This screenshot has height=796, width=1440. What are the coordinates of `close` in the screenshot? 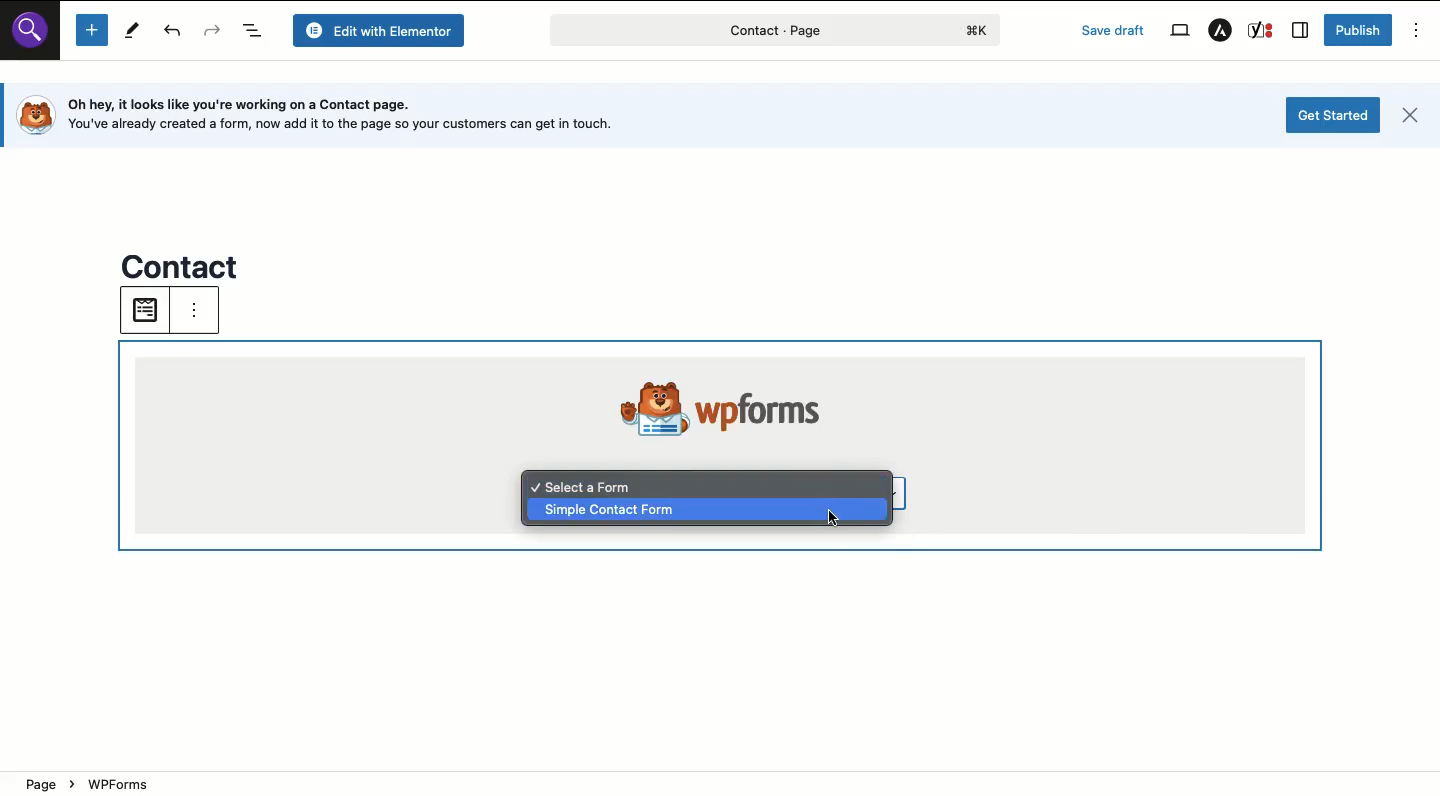 It's located at (1414, 115).